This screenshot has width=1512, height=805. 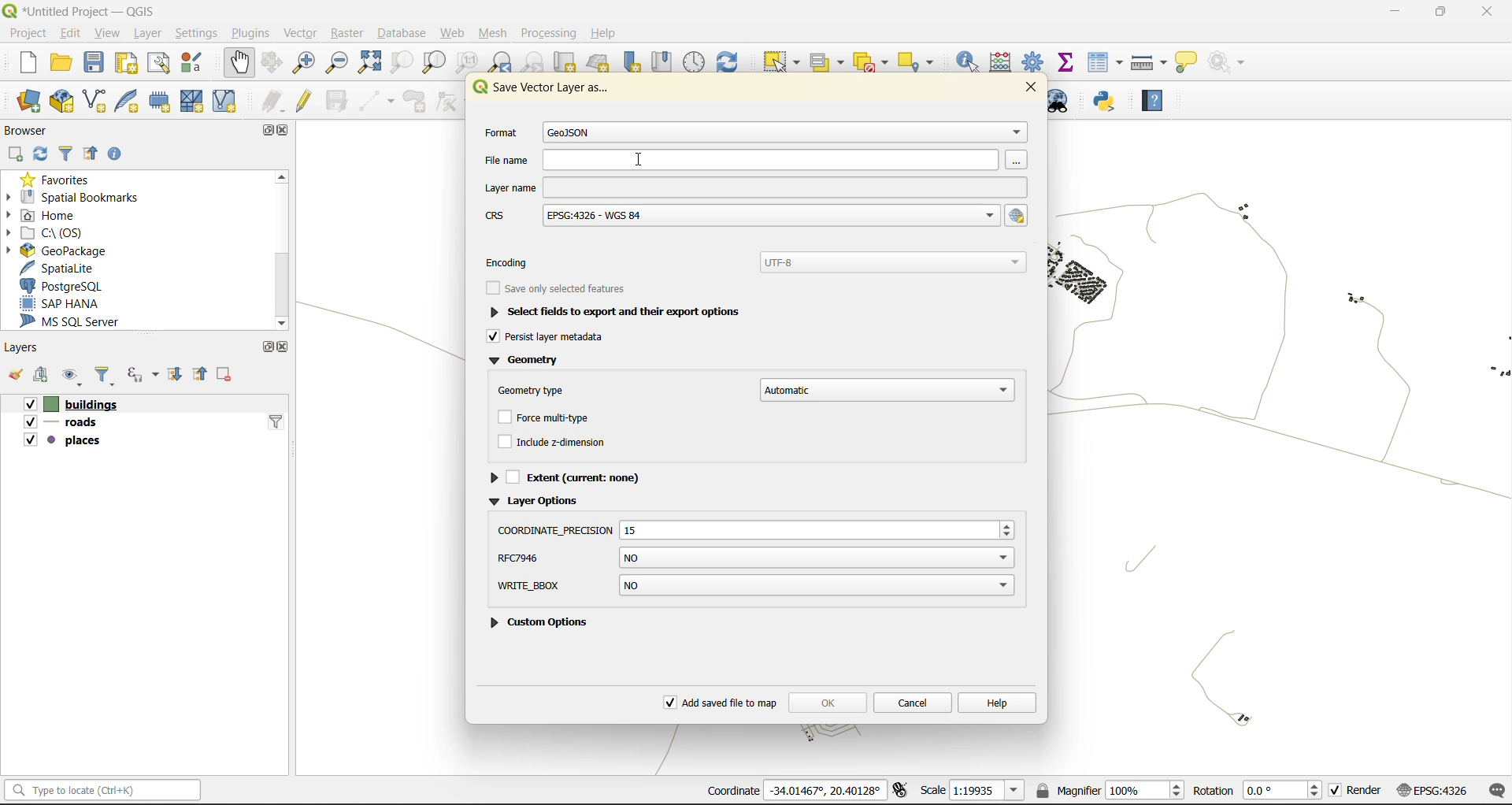 I want to click on refresh, so click(x=43, y=154).